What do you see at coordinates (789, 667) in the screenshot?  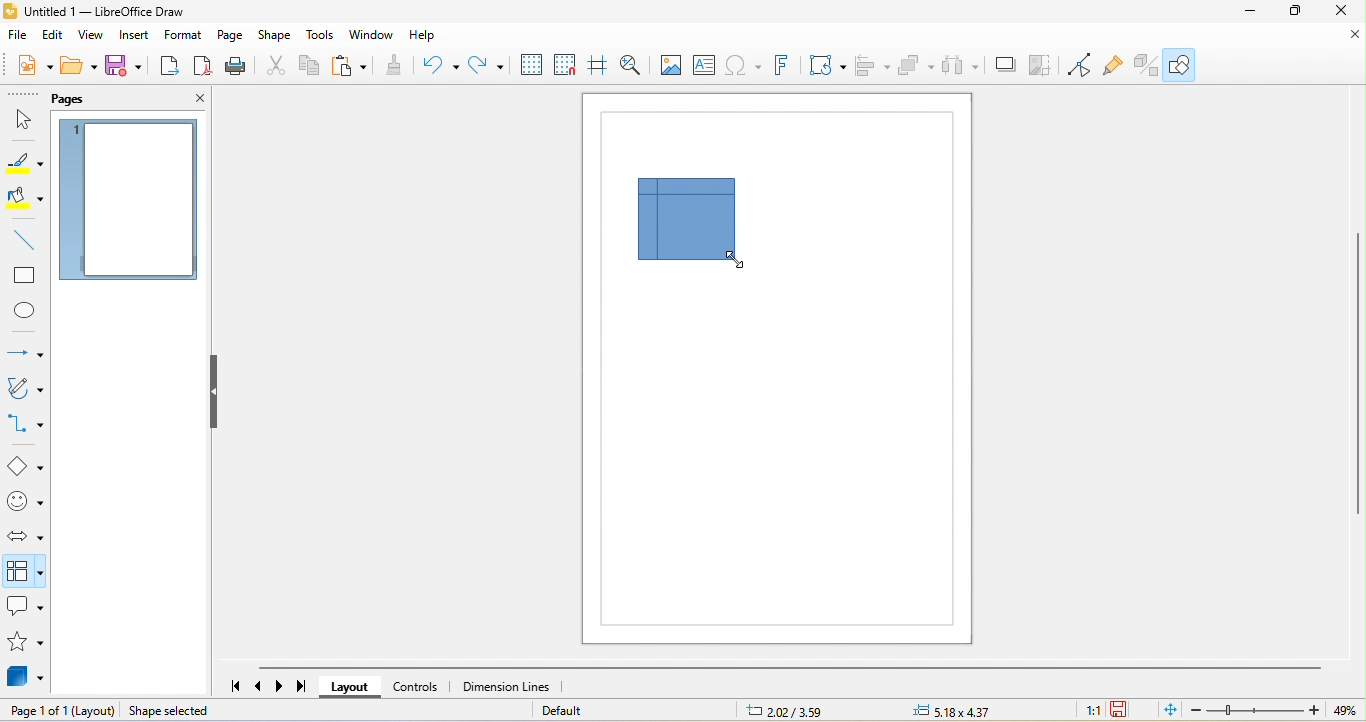 I see `horizontal scroll bar` at bounding box center [789, 667].